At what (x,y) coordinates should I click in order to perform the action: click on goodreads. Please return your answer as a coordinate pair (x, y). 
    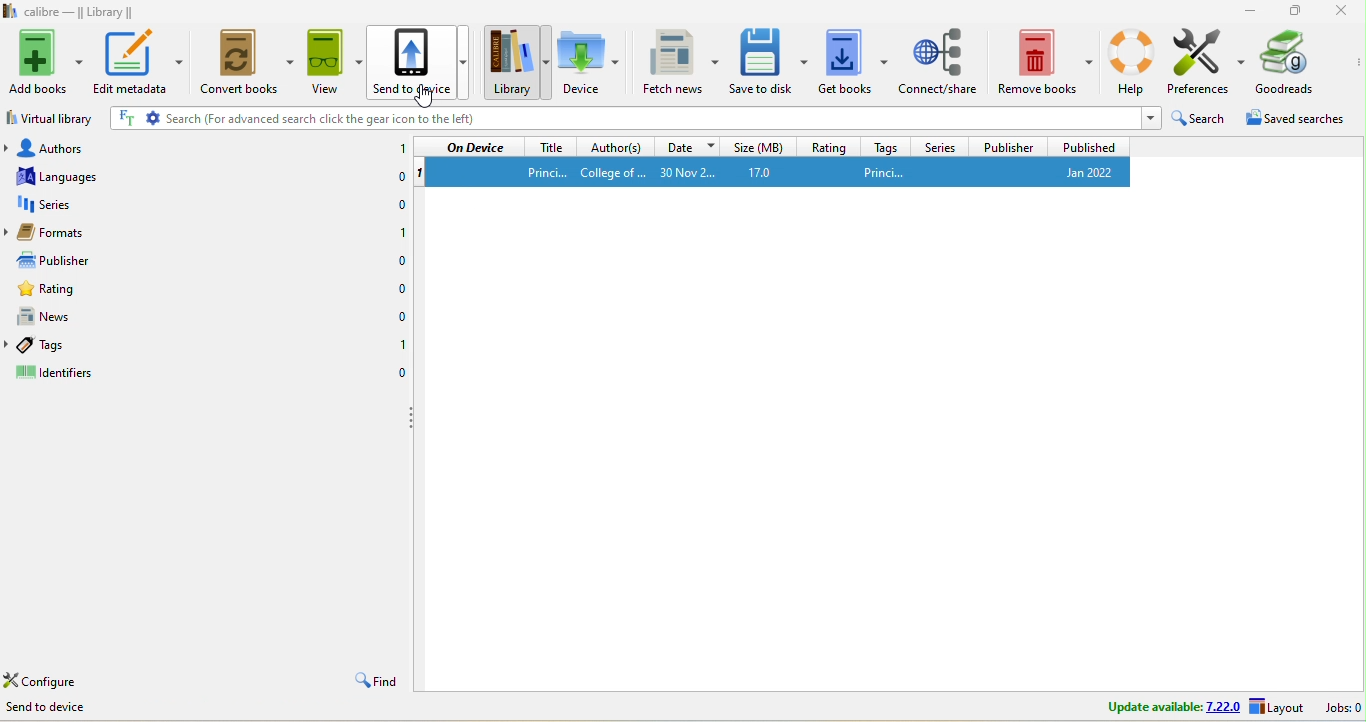
    Looking at the image, I should click on (1289, 60).